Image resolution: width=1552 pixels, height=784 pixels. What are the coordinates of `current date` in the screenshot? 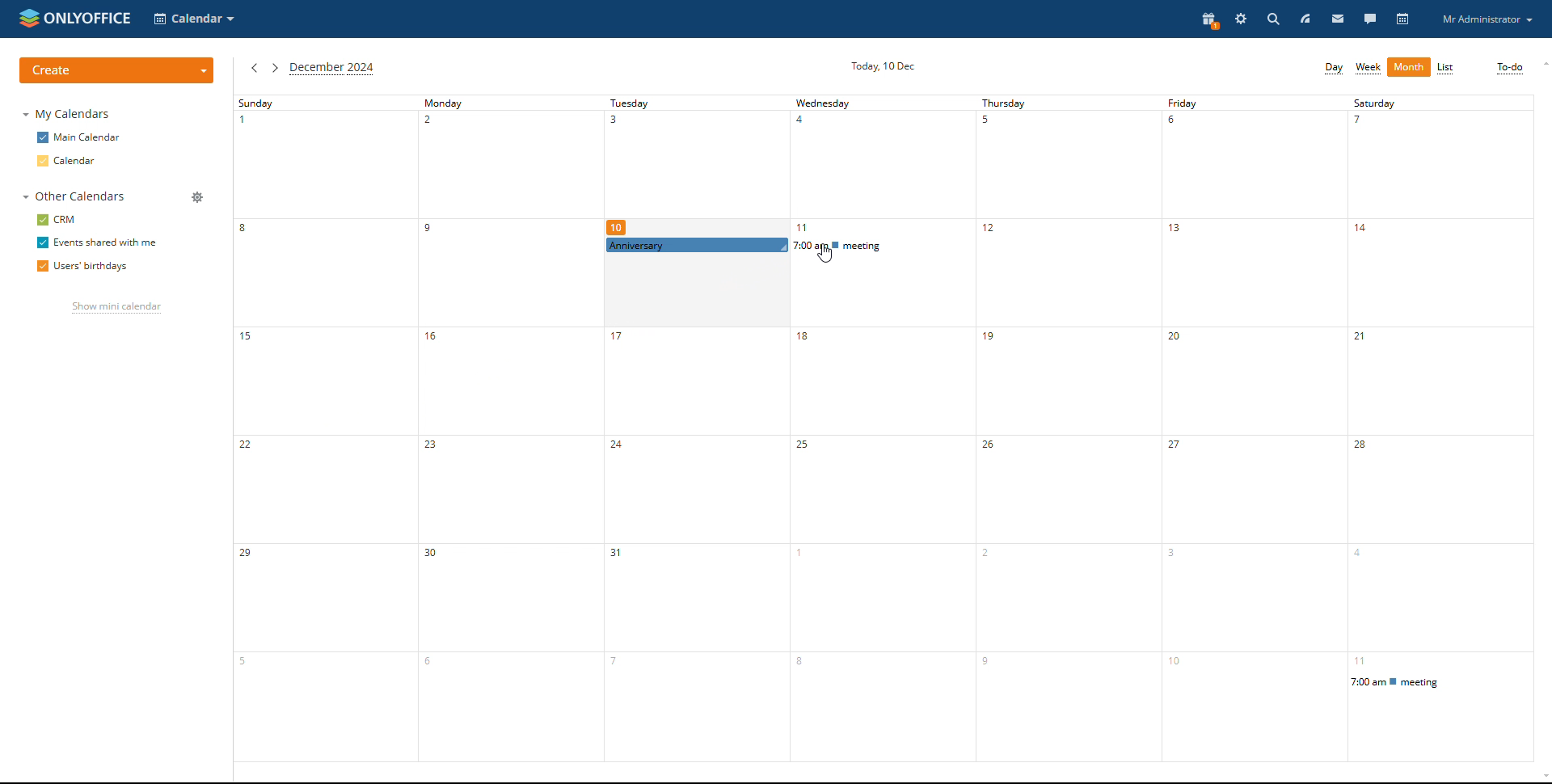 It's located at (882, 65).